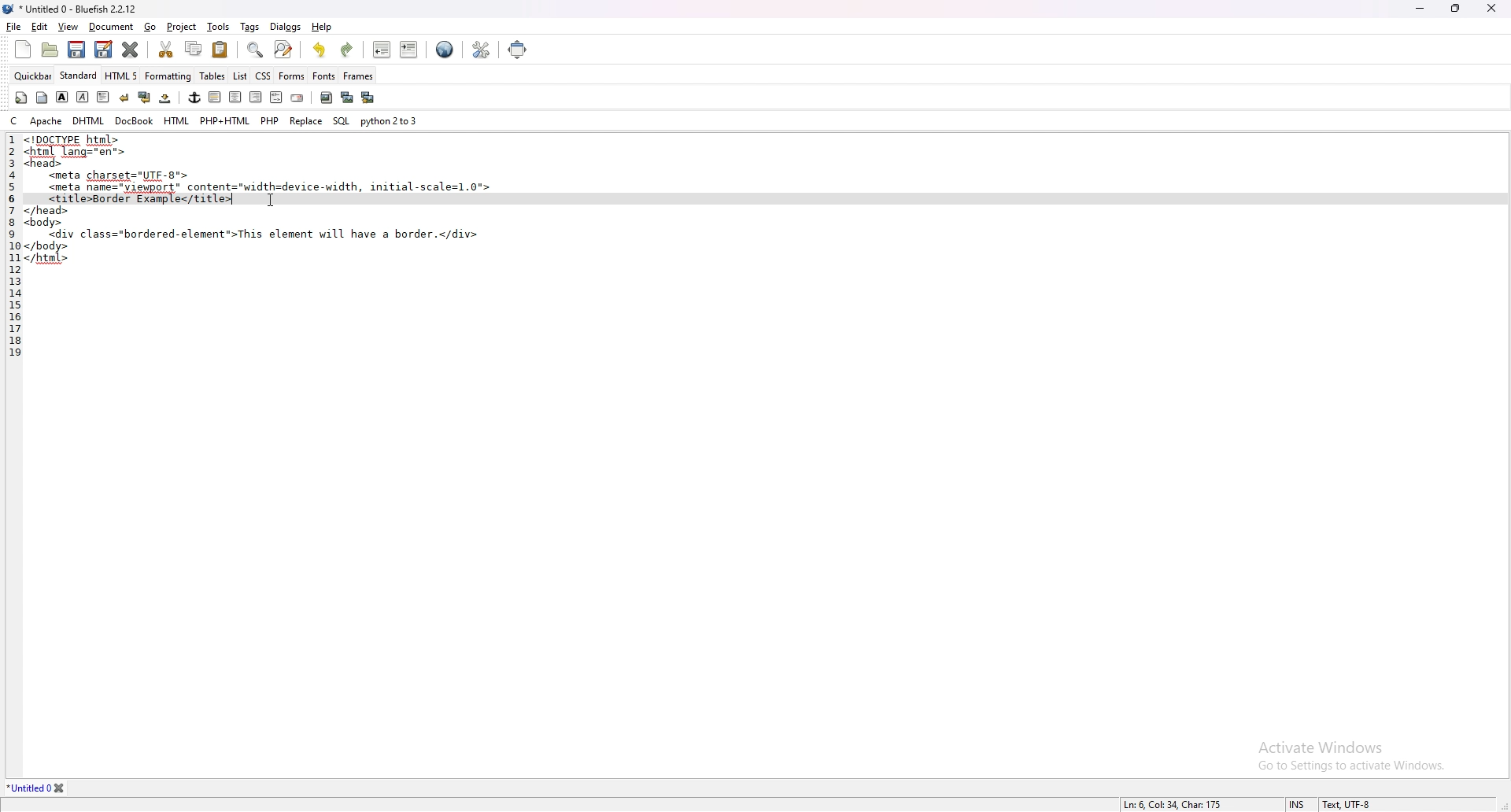 This screenshot has width=1511, height=812. I want to click on forms, so click(292, 76).